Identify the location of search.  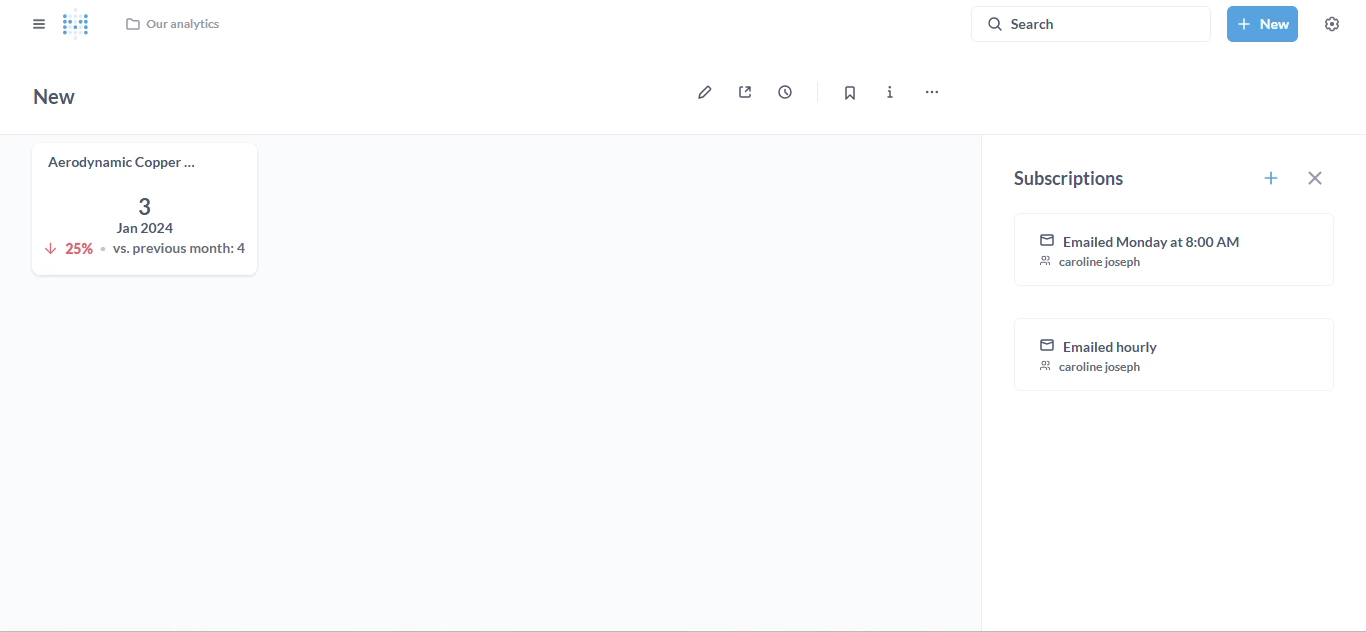
(1091, 23).